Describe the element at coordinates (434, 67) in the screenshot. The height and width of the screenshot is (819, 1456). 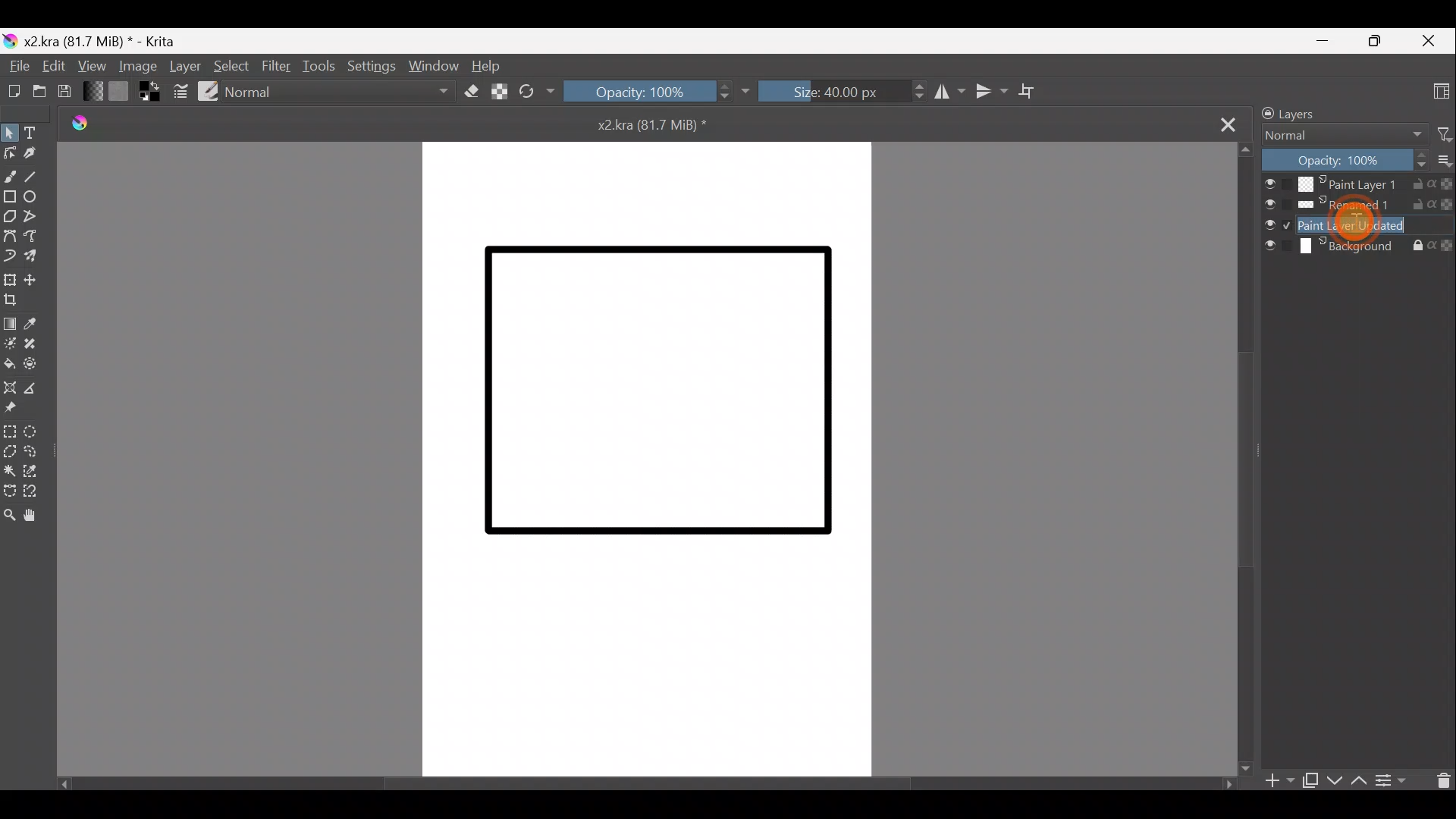
I see `Window` at that location.